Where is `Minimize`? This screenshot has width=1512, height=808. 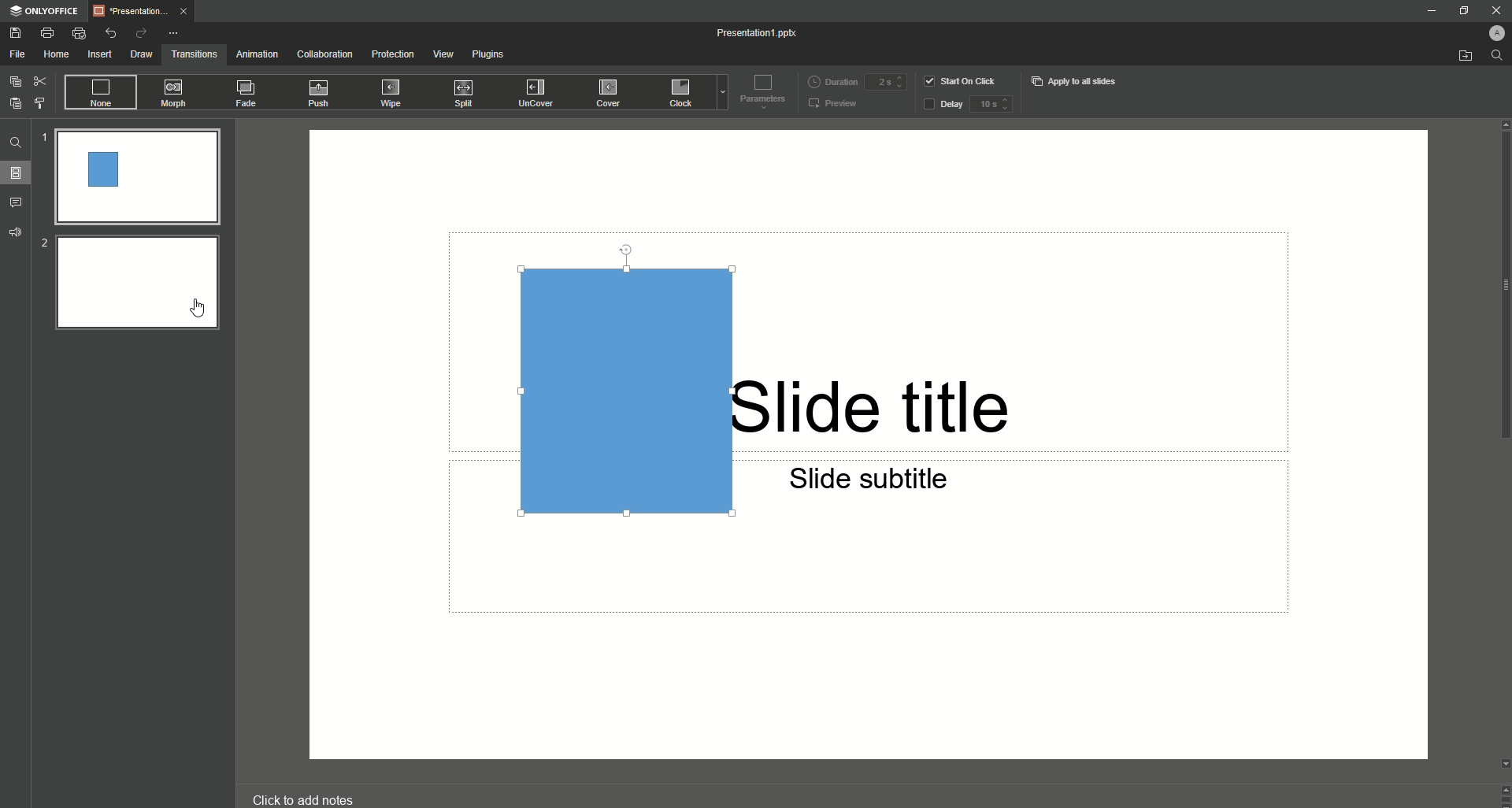 Minimize is located at coordinates (1429, 9).